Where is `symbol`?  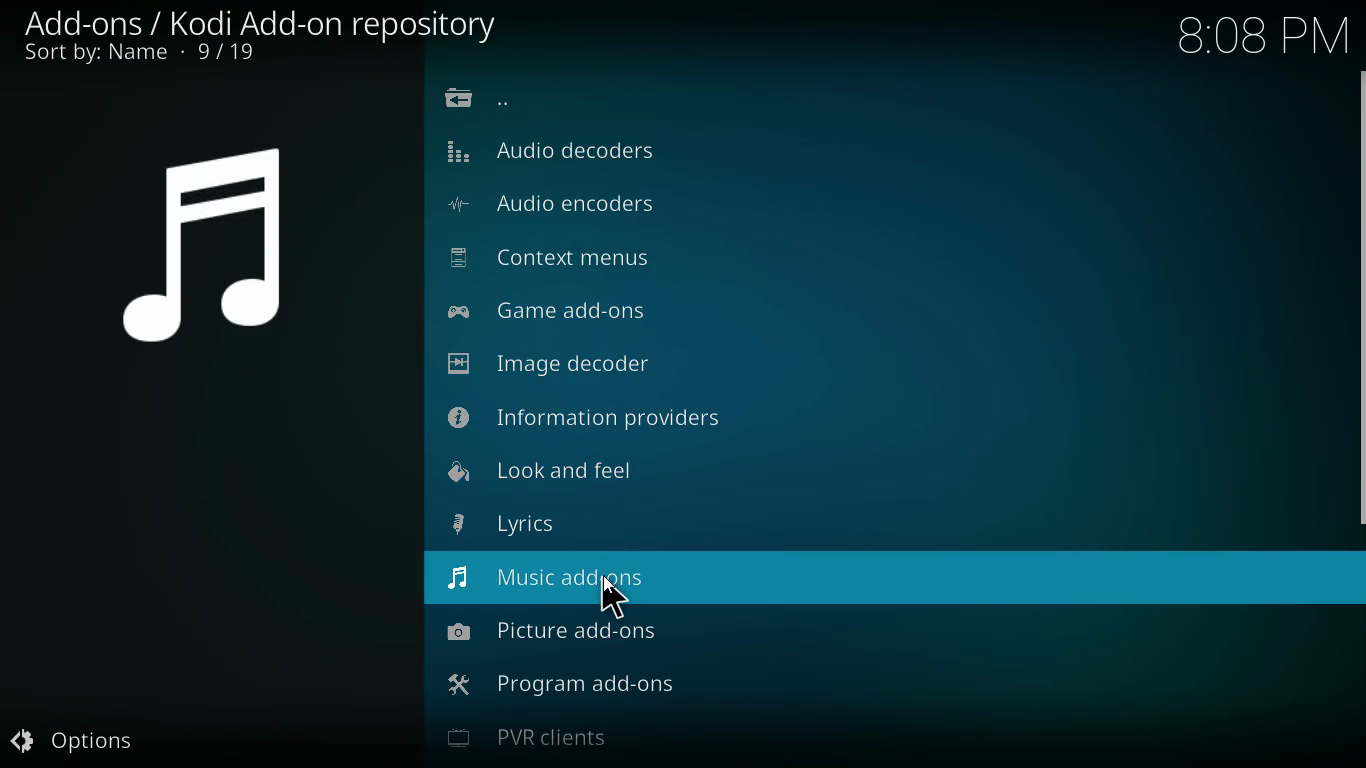 symbol is located at coordinates (218, 247).